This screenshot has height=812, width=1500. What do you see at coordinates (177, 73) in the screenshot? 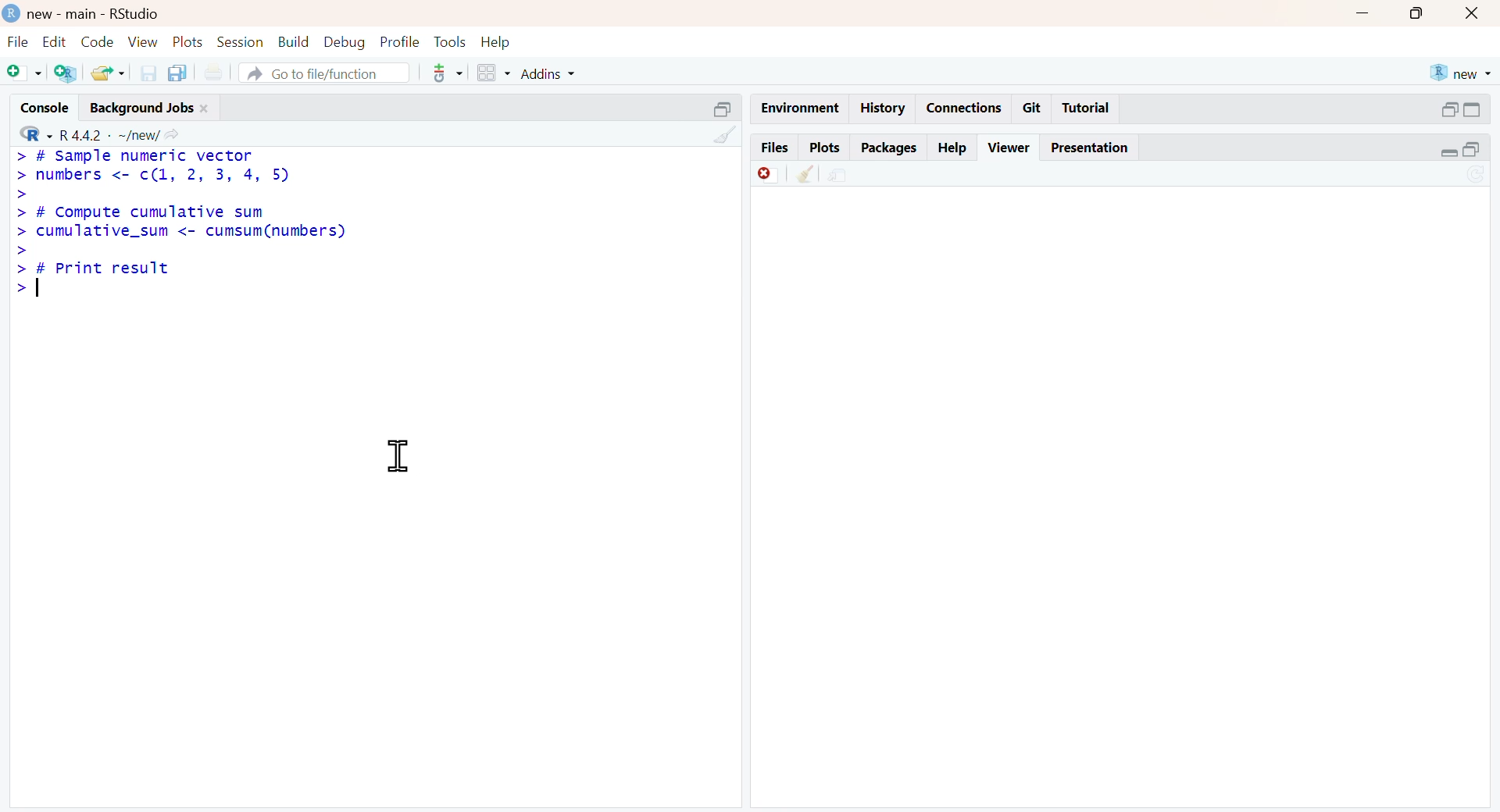
I see `copy` at bounding box center [177, 73].